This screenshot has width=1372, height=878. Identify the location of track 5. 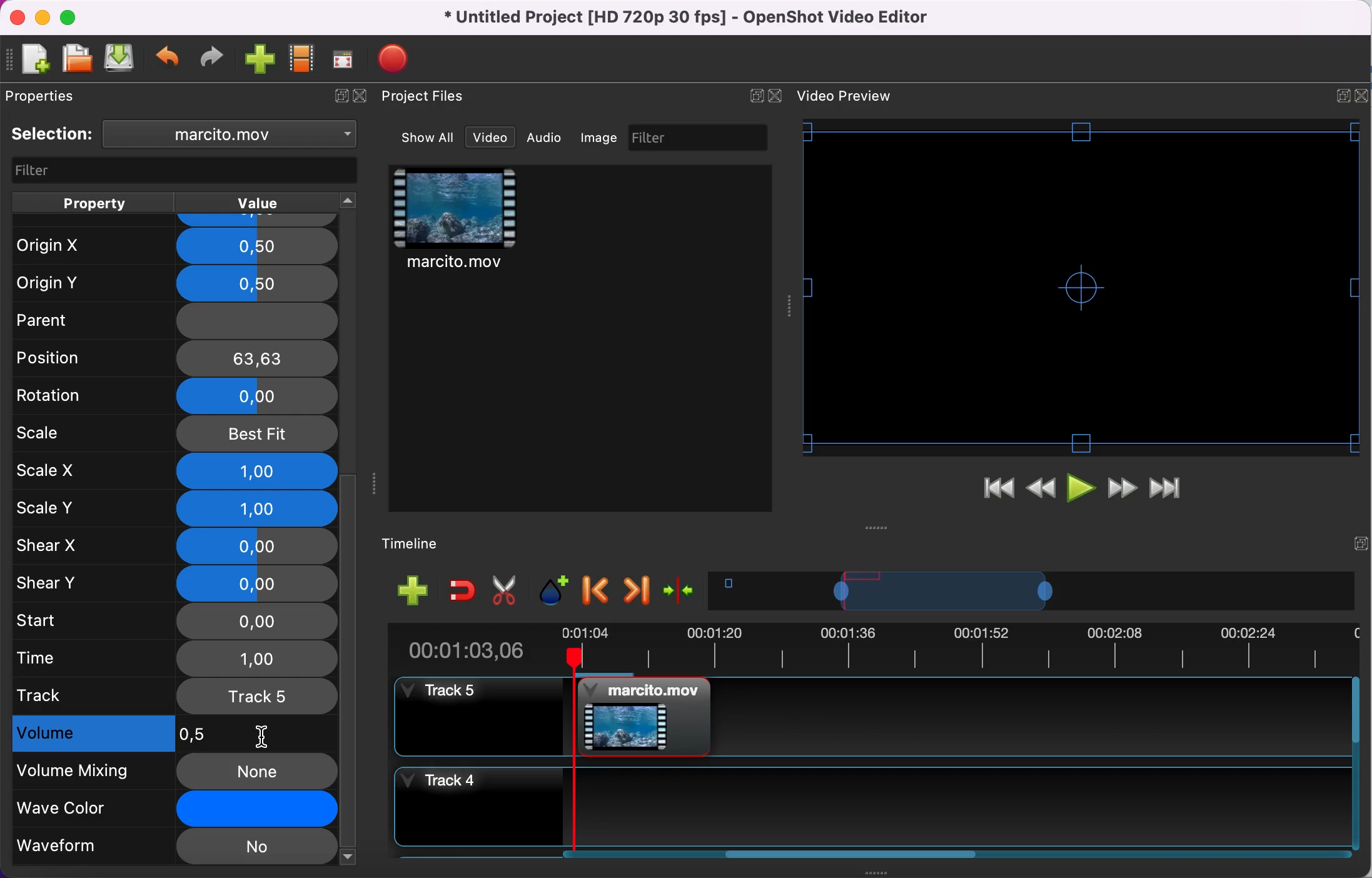
(176, 695).